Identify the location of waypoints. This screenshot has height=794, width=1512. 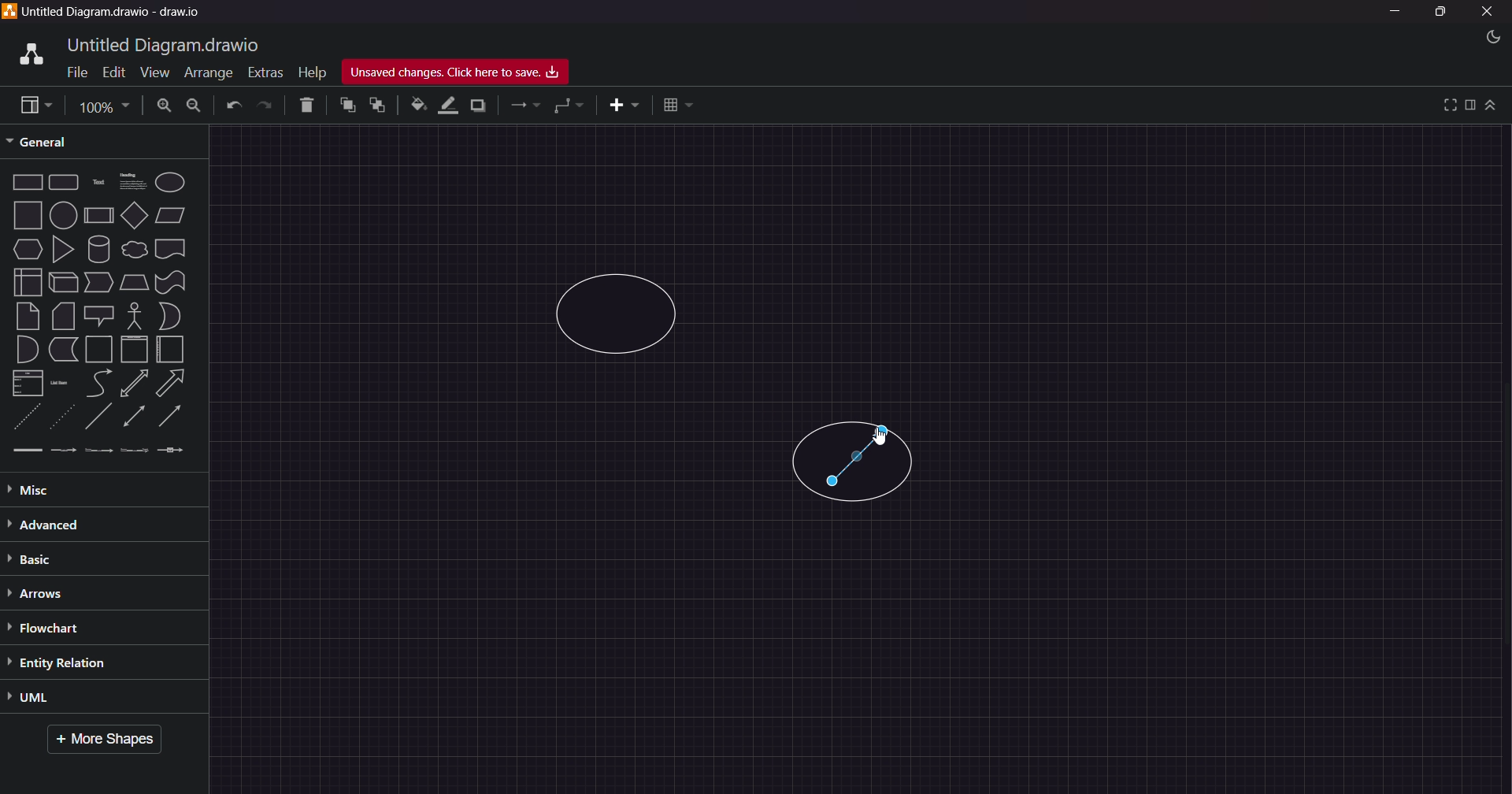
(570, 107).